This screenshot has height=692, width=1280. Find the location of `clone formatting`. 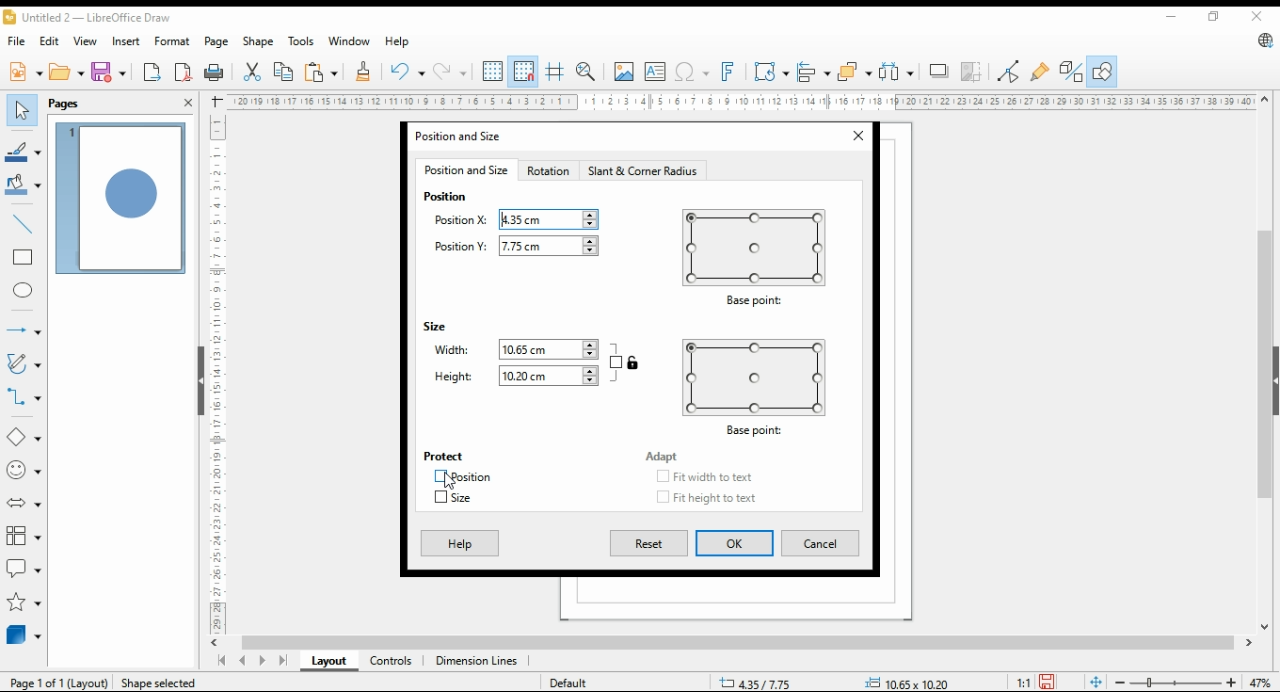

clone formatting is located at coordinates (365, 72).